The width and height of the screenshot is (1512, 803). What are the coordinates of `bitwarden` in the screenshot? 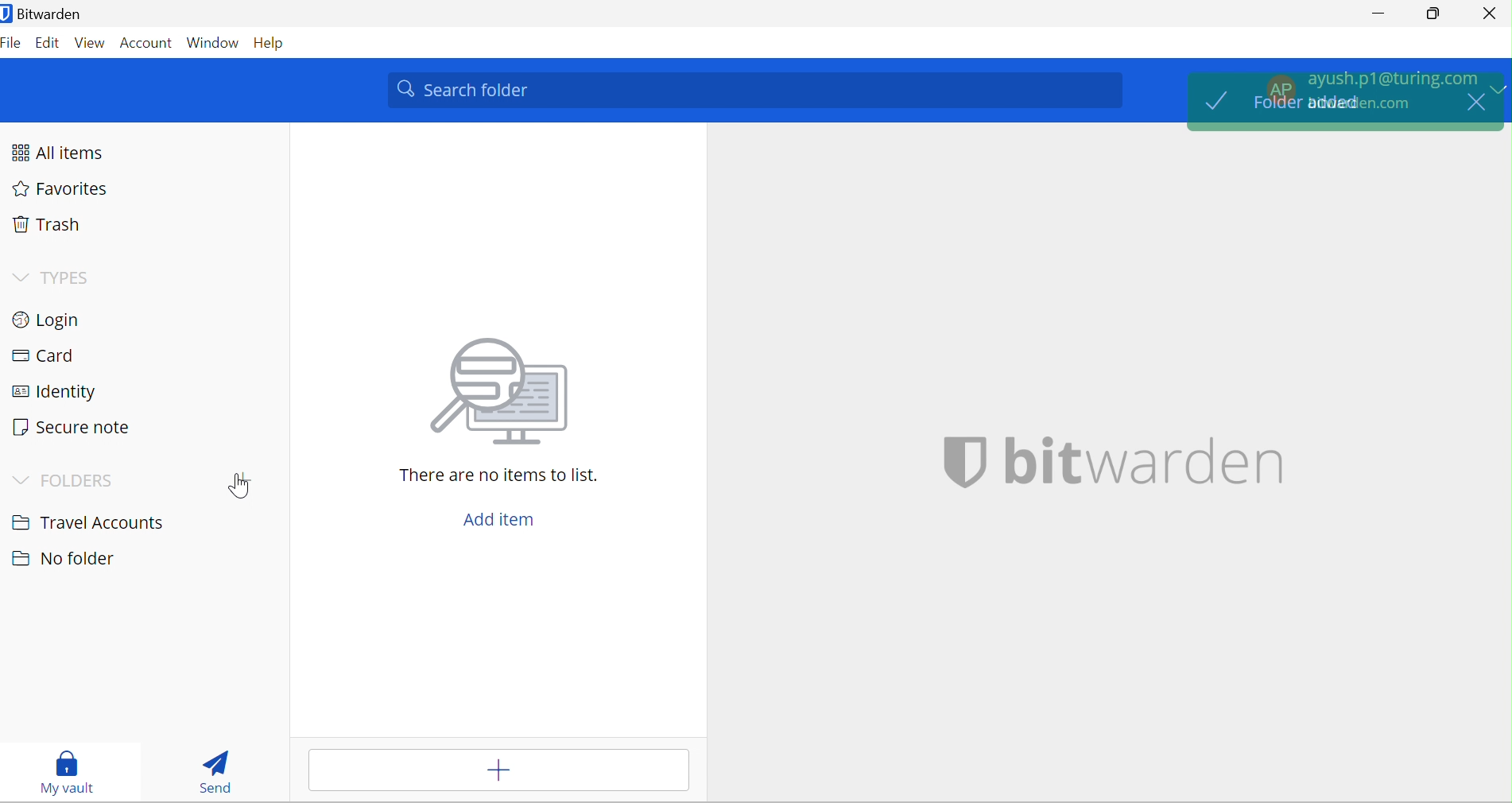 It's located at (1115, 462).